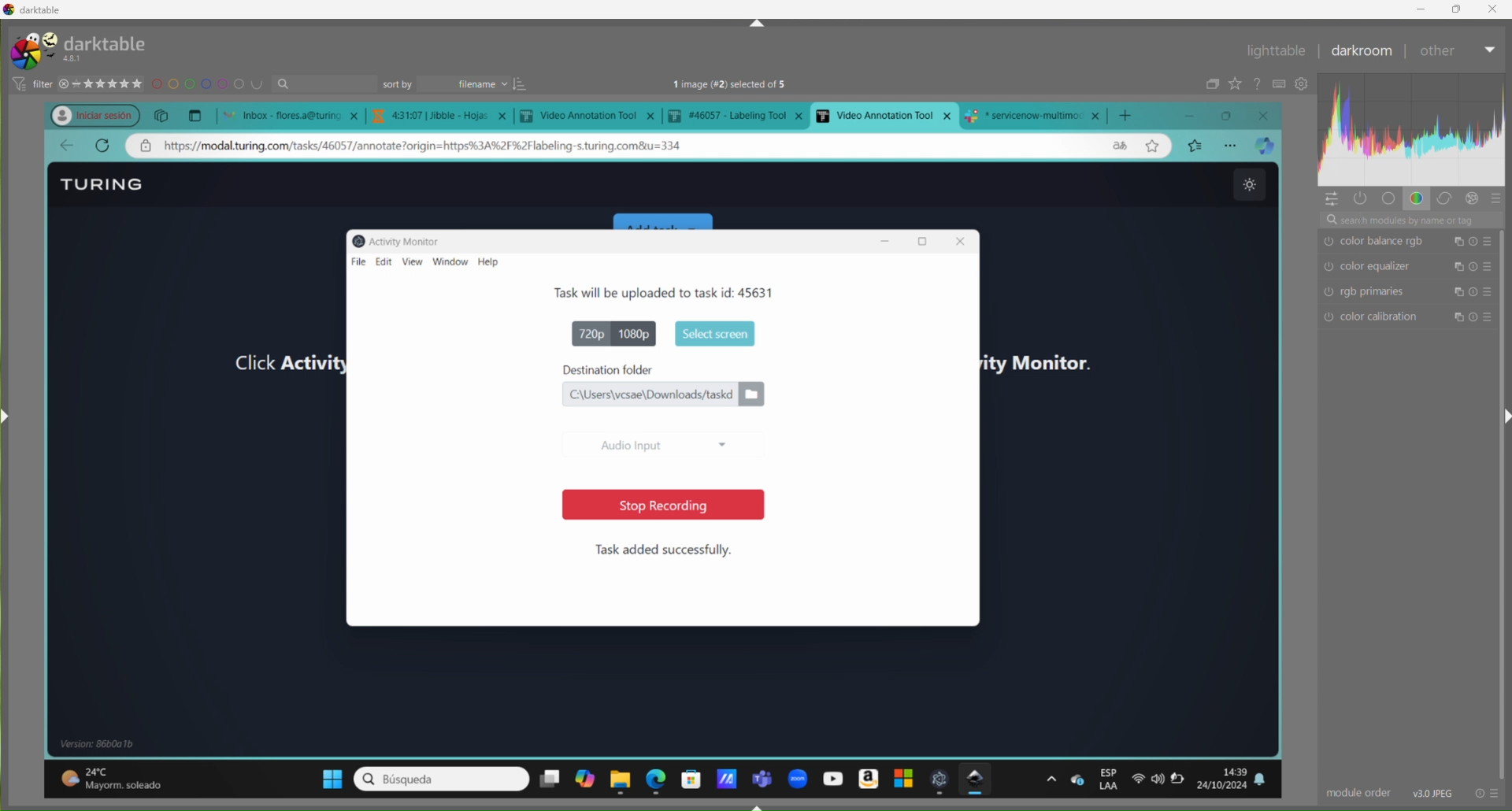 The width and height of the screenshot is (1512, 811). I want to click on sound, so click(1158, 780).